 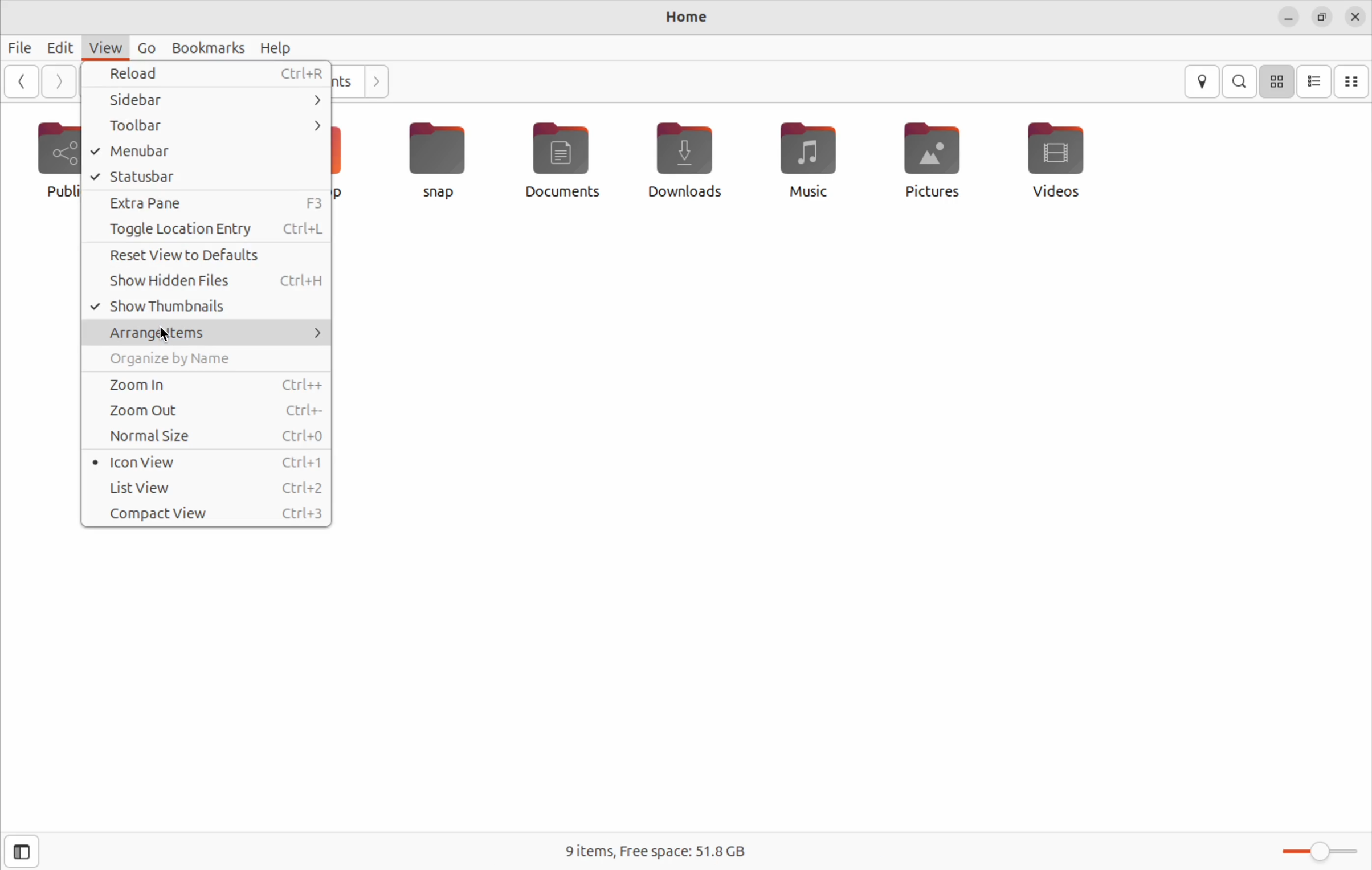 I want to click on bookmarks, so click(x=206, y=47).